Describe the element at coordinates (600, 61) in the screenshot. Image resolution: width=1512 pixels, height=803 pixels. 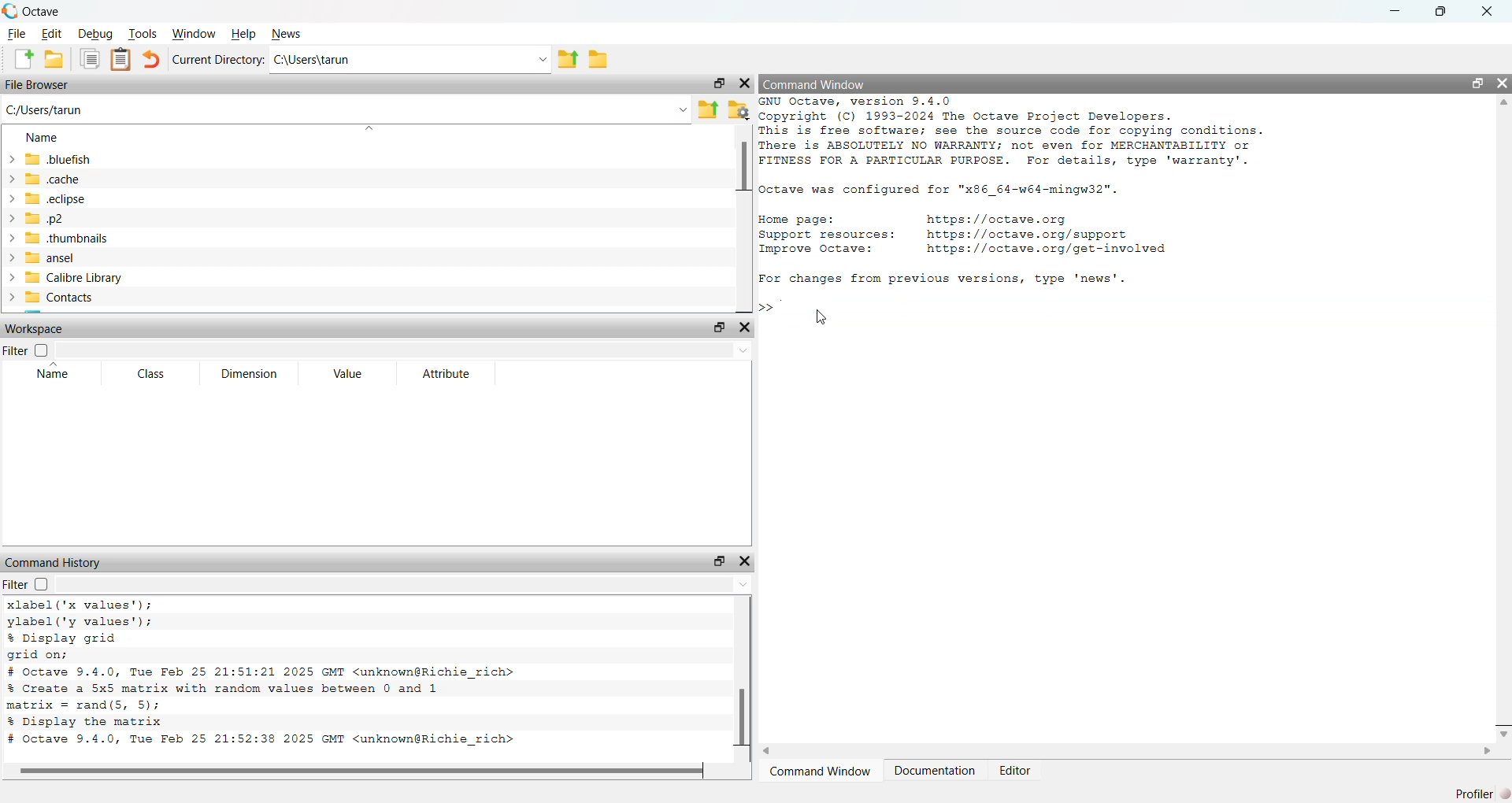
I see `file` at that location.